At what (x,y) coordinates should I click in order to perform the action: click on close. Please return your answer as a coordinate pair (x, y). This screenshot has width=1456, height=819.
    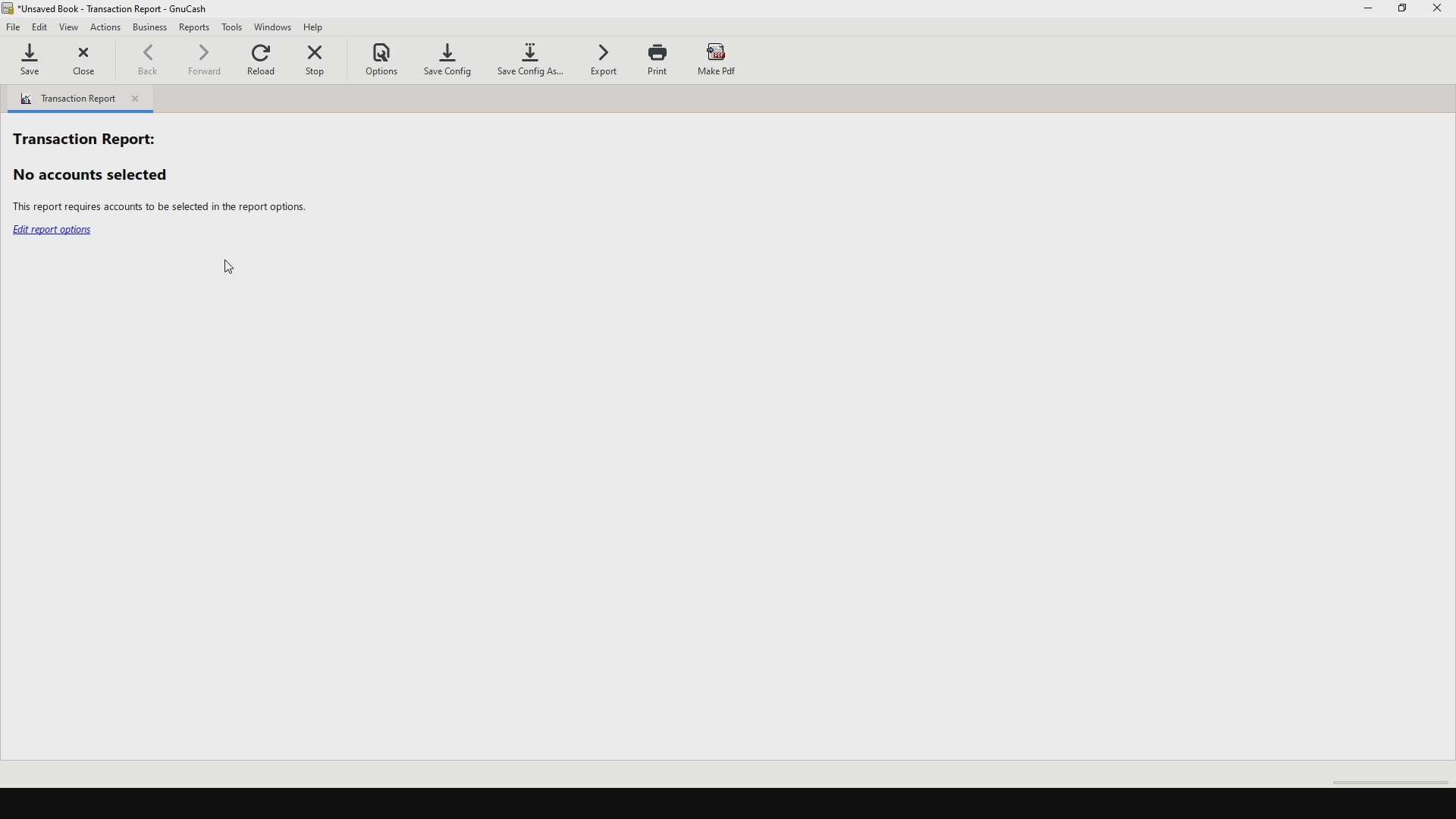
    Looking at the image, I should click on (89, 64).